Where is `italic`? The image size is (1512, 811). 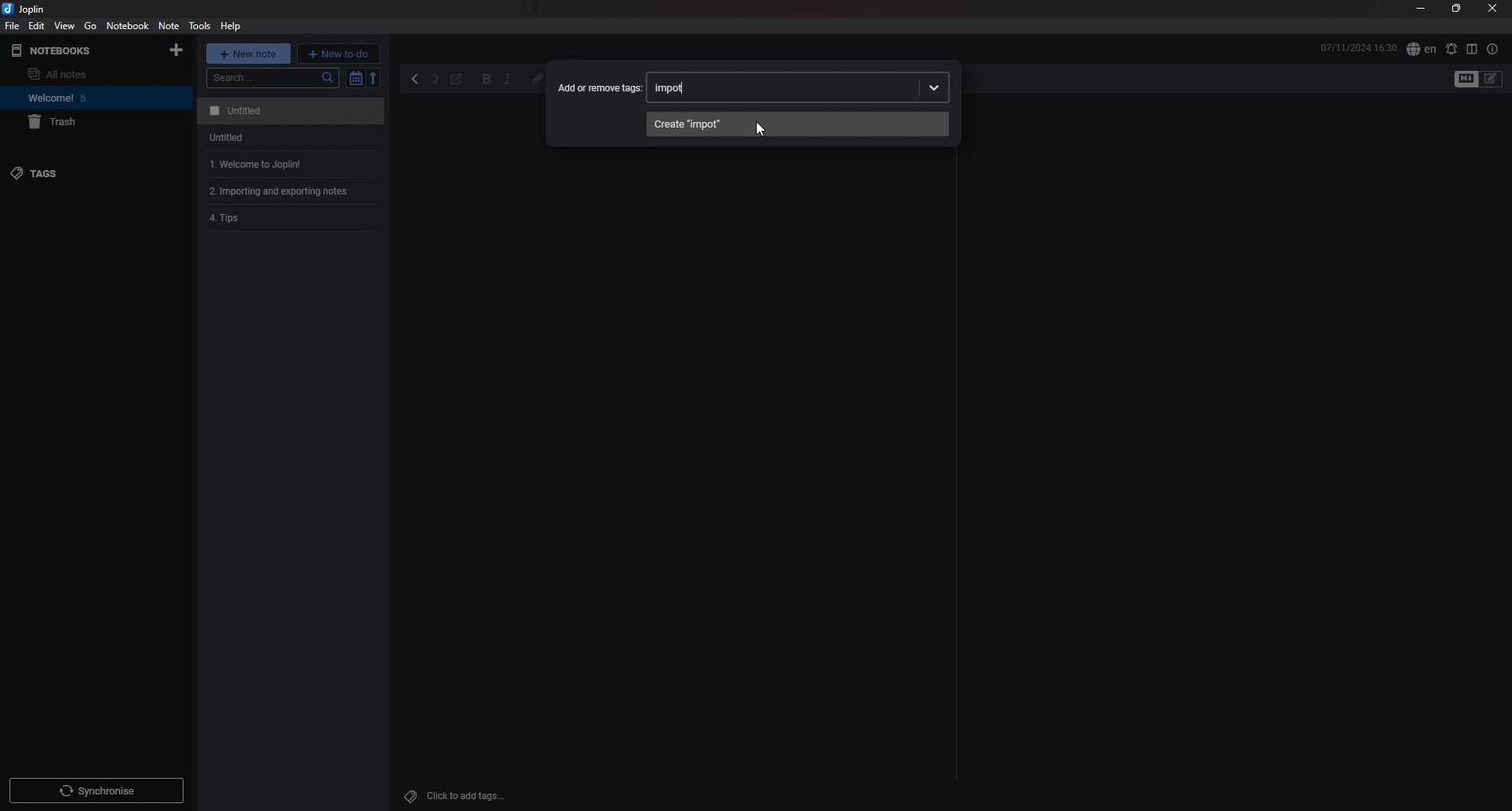
italic is located at coordinates (507, 80).